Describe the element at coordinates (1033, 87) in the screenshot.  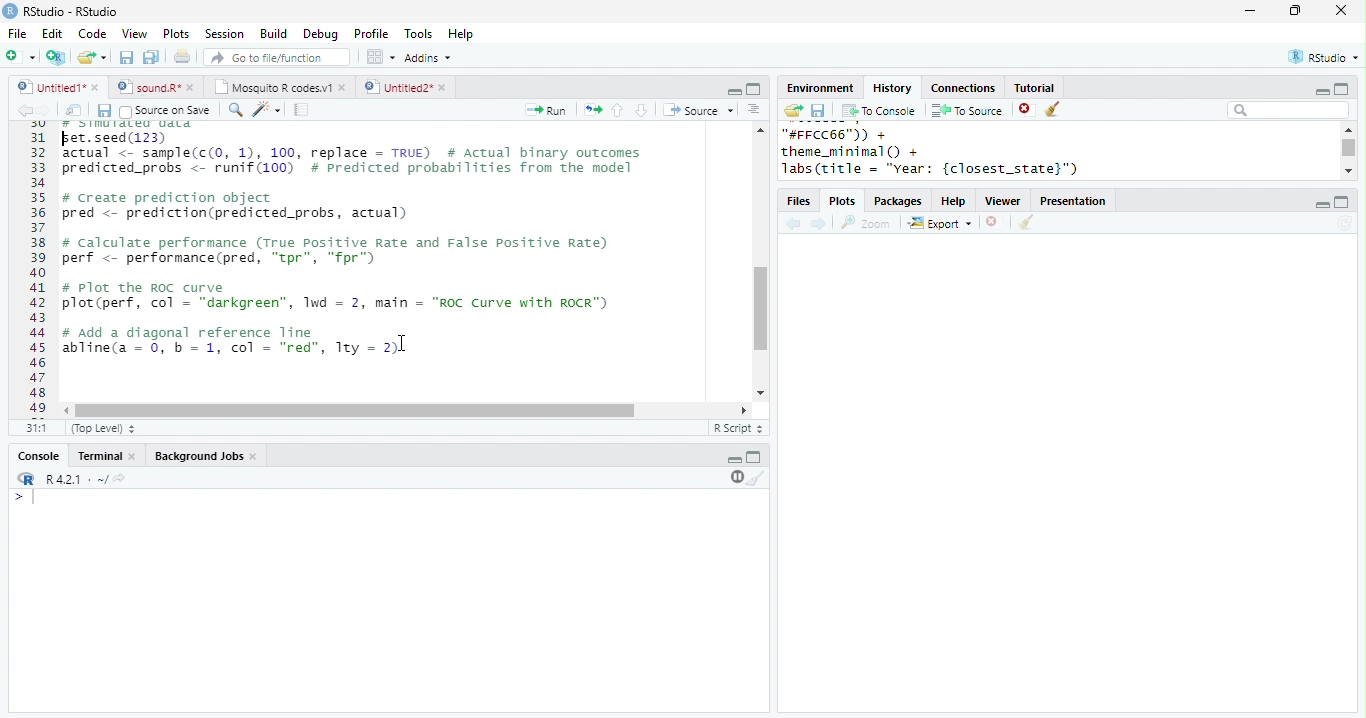
I see `Tutorial` at that location.